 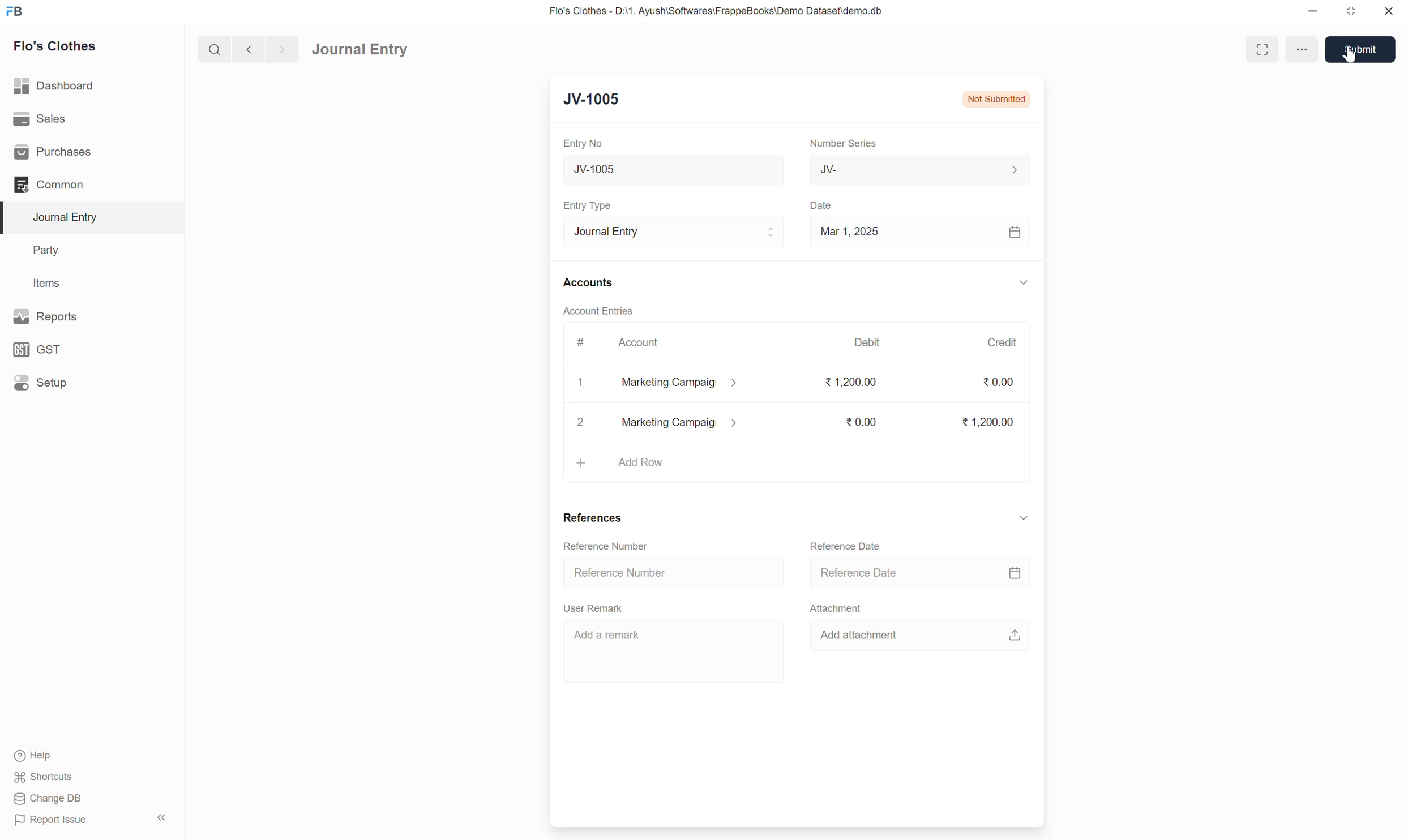 I want to click on enlarge, so click(x=1261, y=48).